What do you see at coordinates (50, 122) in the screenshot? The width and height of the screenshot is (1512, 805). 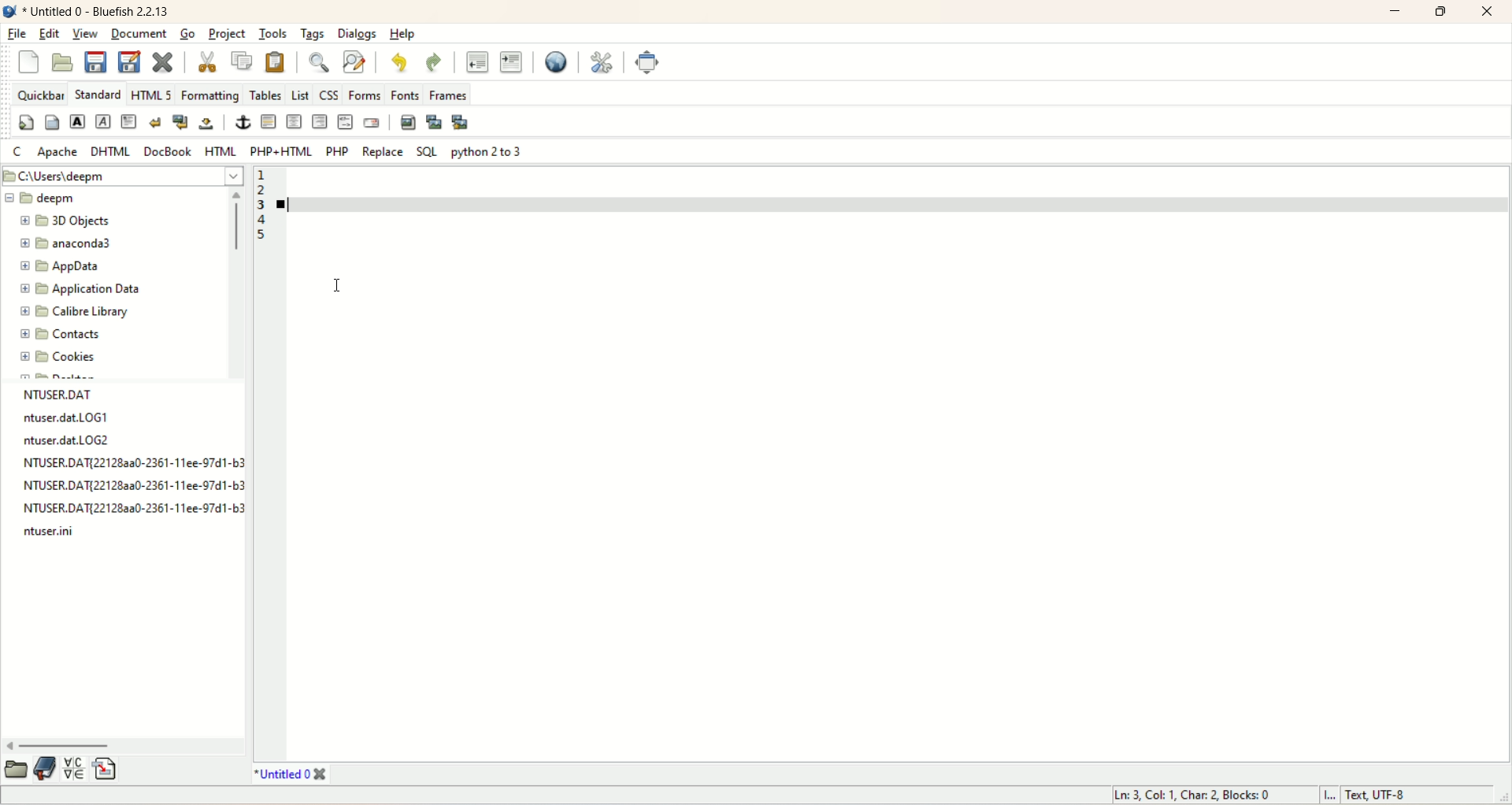 I see `body` at bounding box center [50, 122].